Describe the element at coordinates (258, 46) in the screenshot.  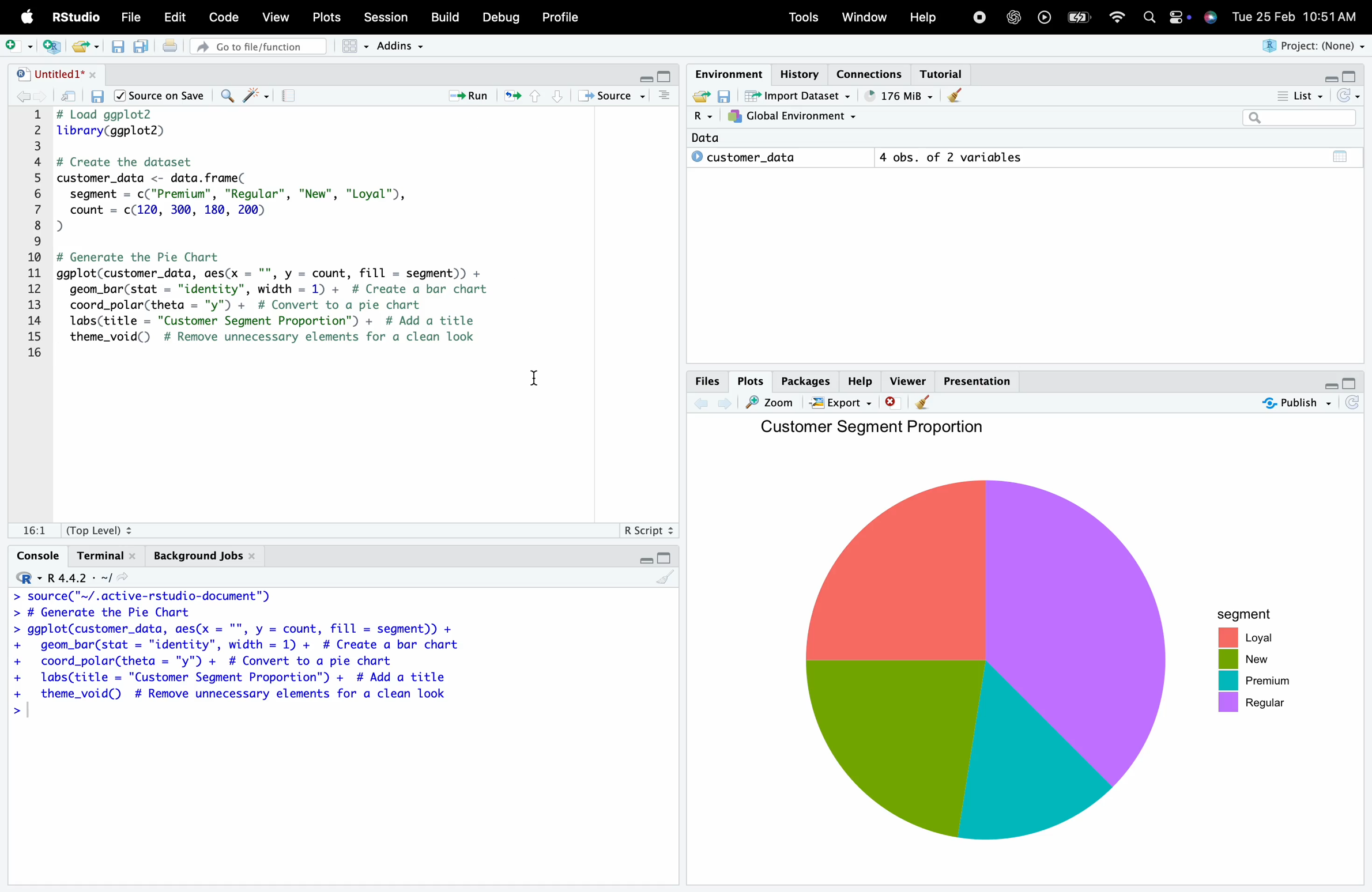
I see `» Go to file/function` at that location.